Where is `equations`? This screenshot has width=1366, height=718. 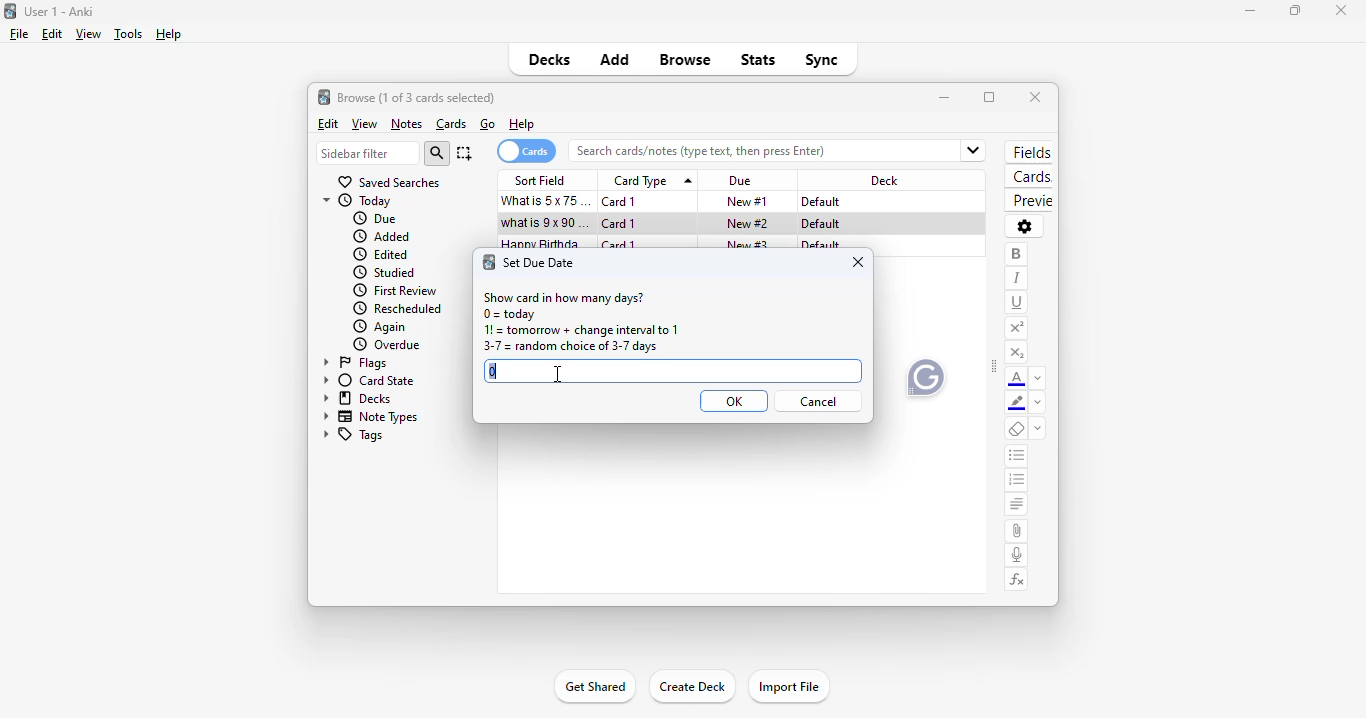 equations is located at coordinates (1018, 581).